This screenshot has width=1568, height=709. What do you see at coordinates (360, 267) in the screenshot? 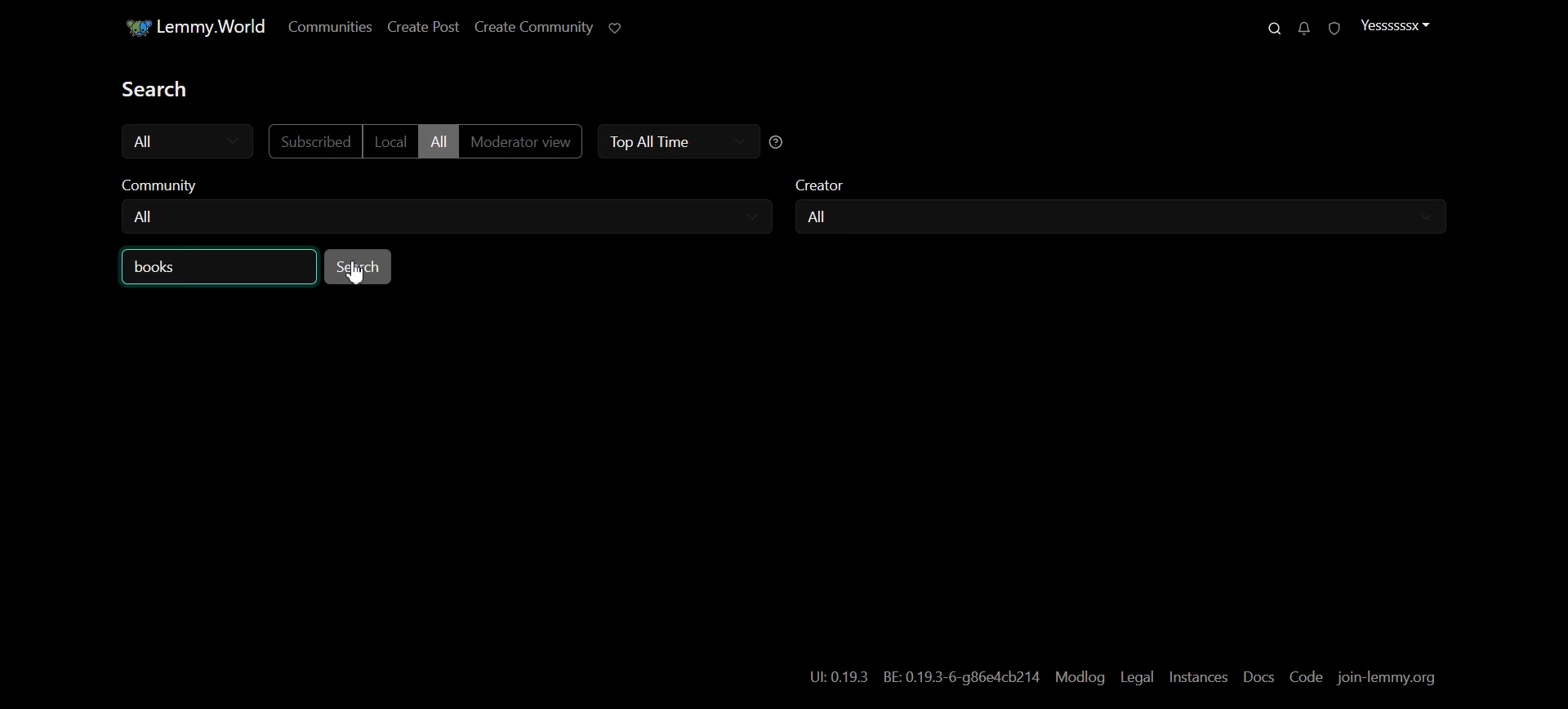
I see `Search` at bounding box center [360, 267].